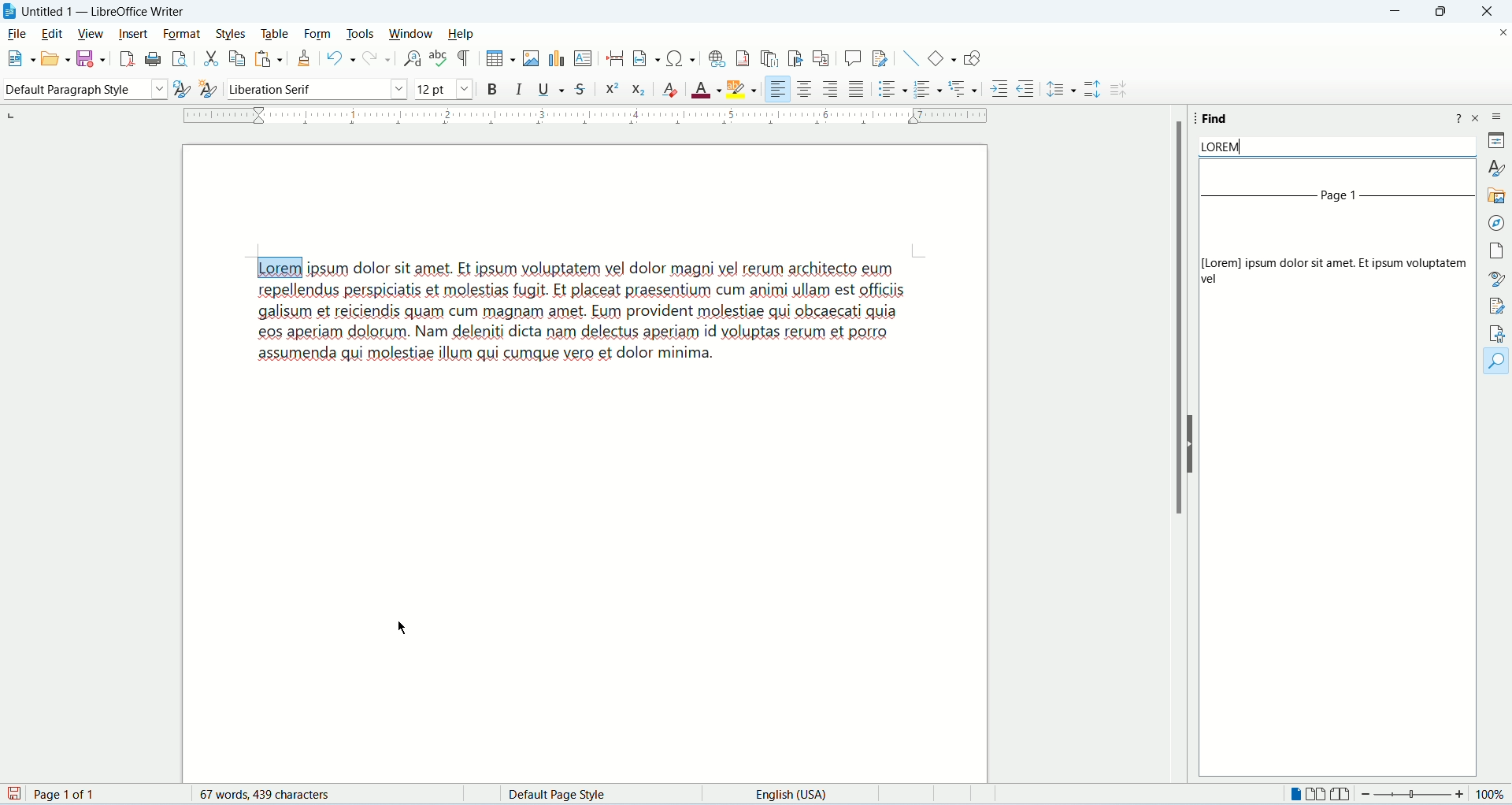 This screenshot has width=1512, height=805. I want to click on undo, so click(338, 59).